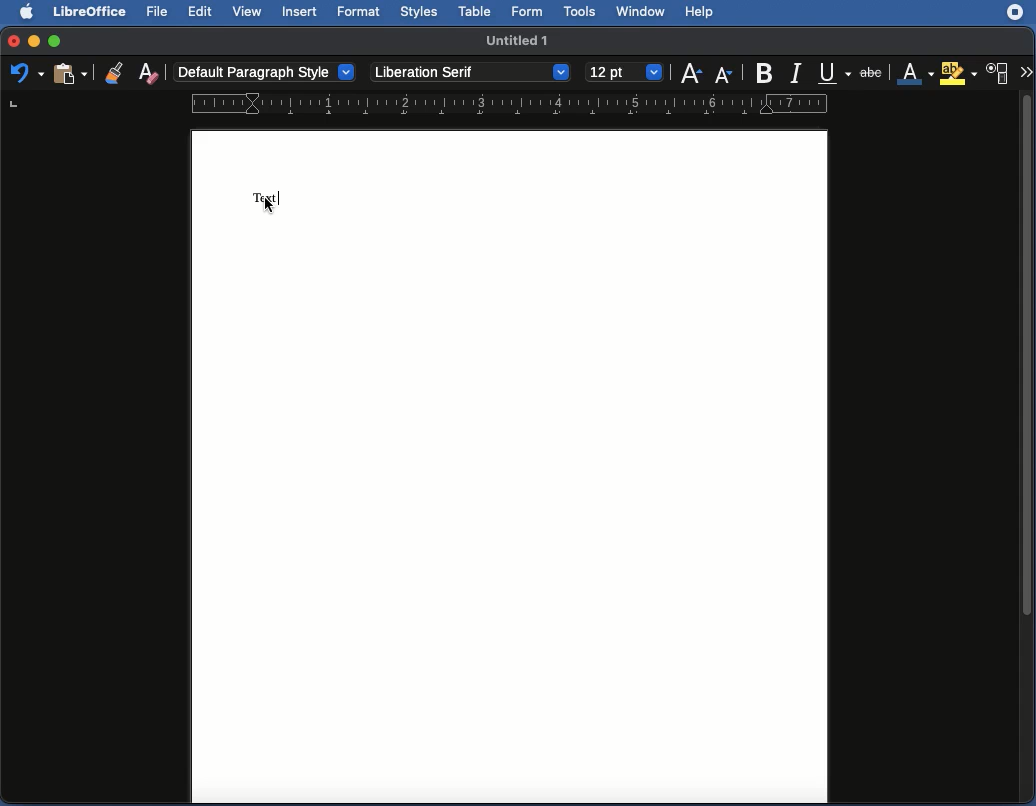 This screenshot has height=806, width=1036. Describe the element at coordinates (725, 74) in the screenshot. I see `Size decrease` at that location.